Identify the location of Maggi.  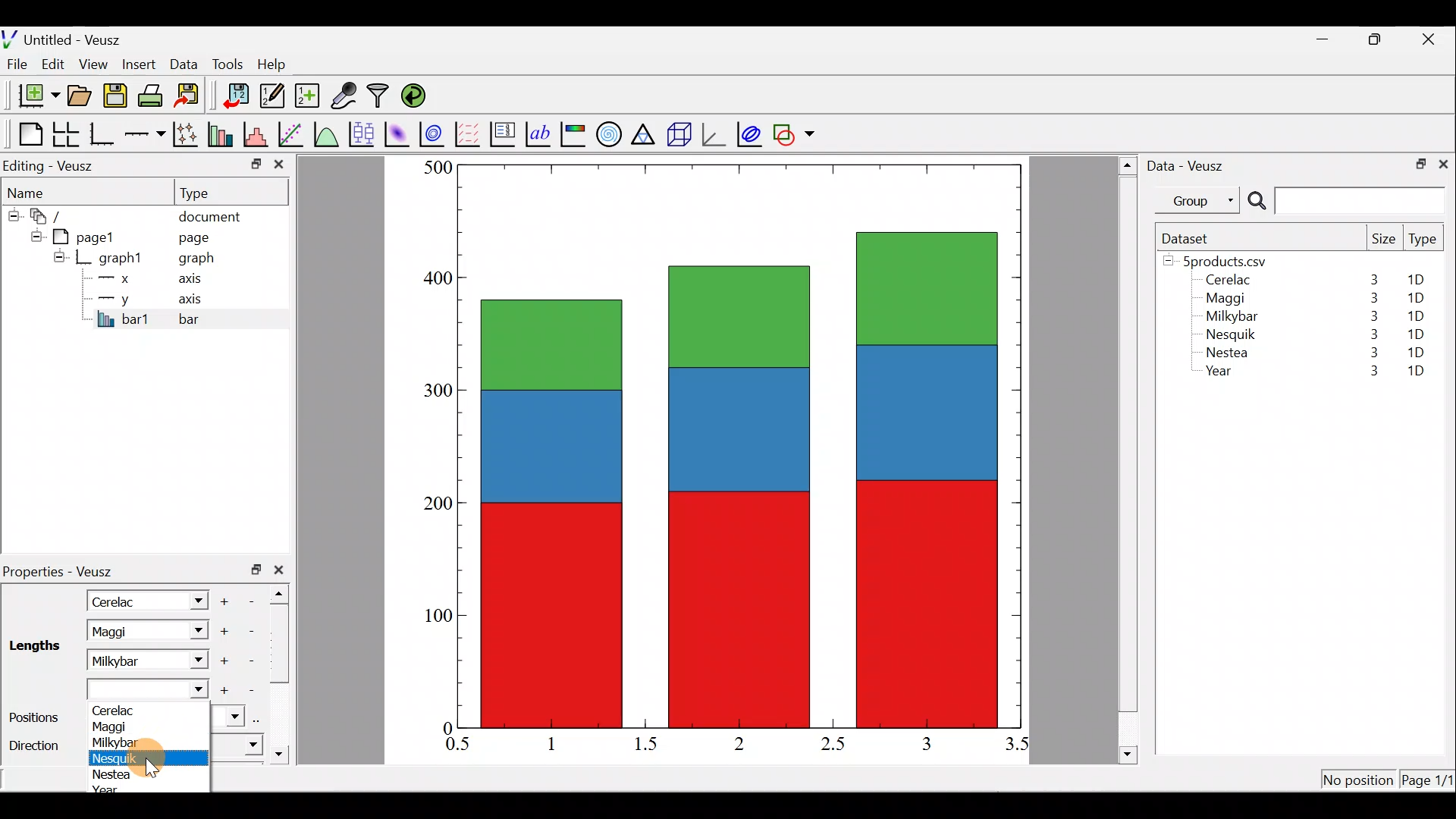
(115, 726).